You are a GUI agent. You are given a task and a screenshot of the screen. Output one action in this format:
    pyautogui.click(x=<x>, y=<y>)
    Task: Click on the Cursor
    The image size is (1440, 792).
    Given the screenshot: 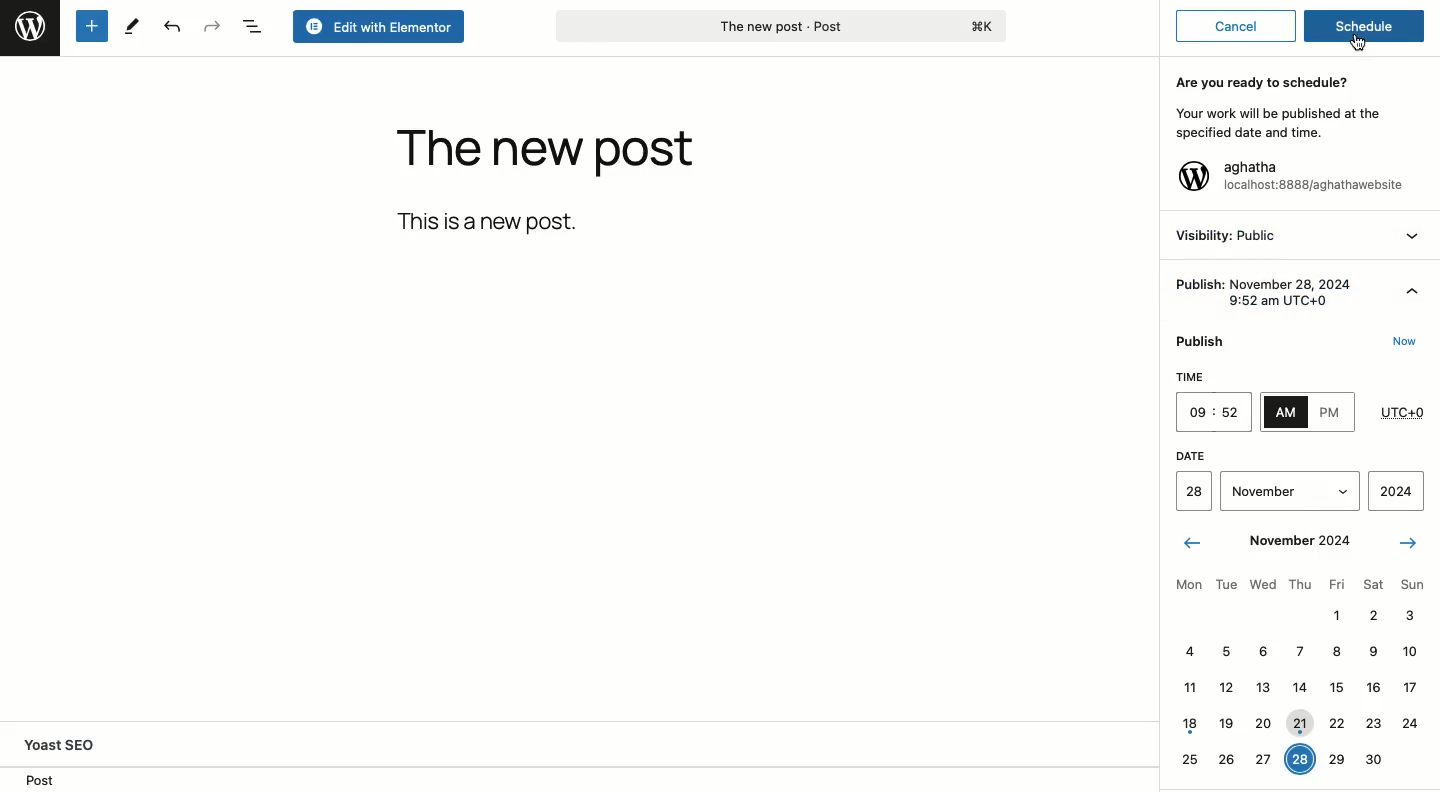 What is the action you would take?
    pyautogui.click(x=1359, y=44)
    